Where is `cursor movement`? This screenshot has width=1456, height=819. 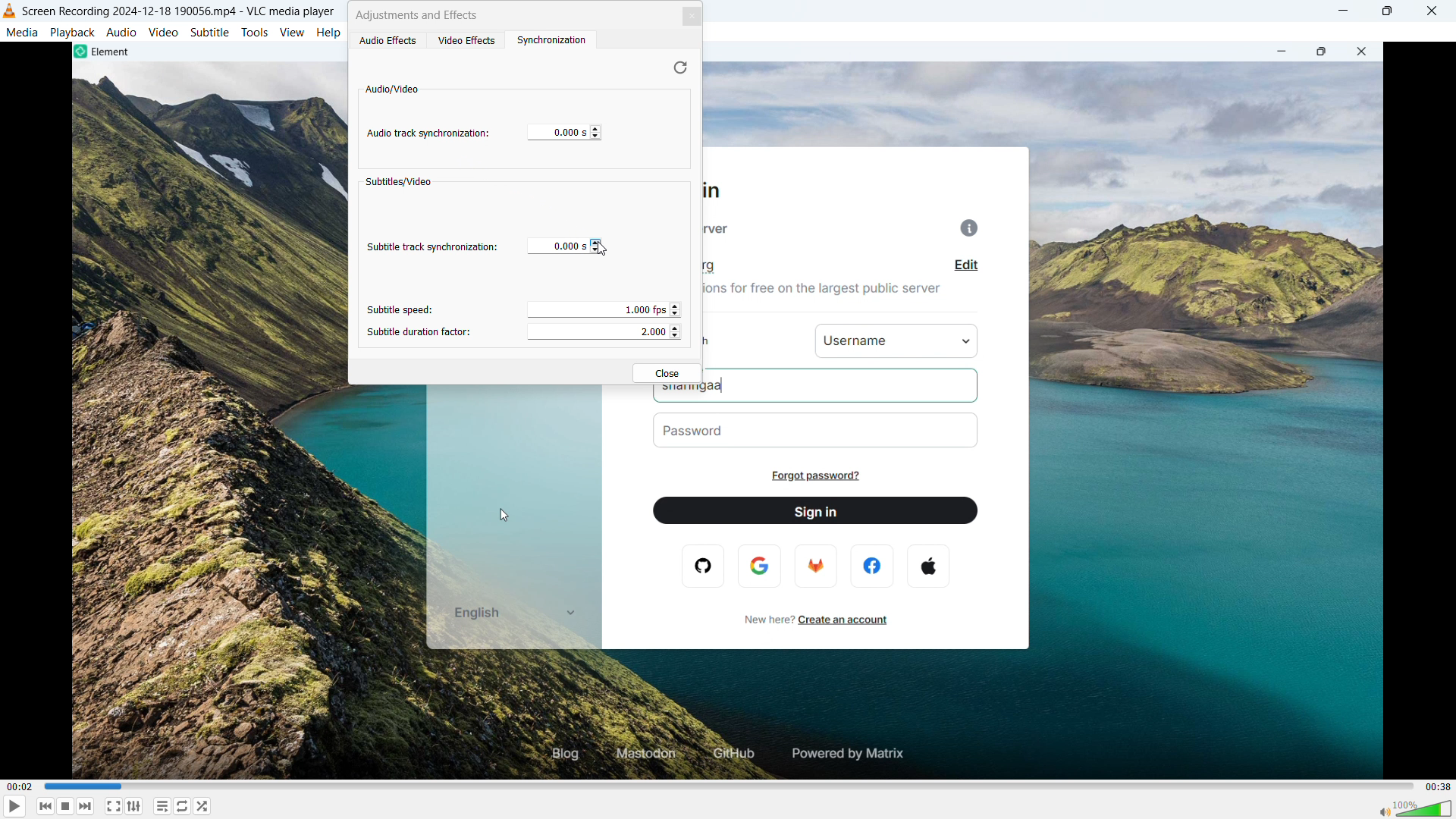
cursor movement is located at coordinates (493, 513).